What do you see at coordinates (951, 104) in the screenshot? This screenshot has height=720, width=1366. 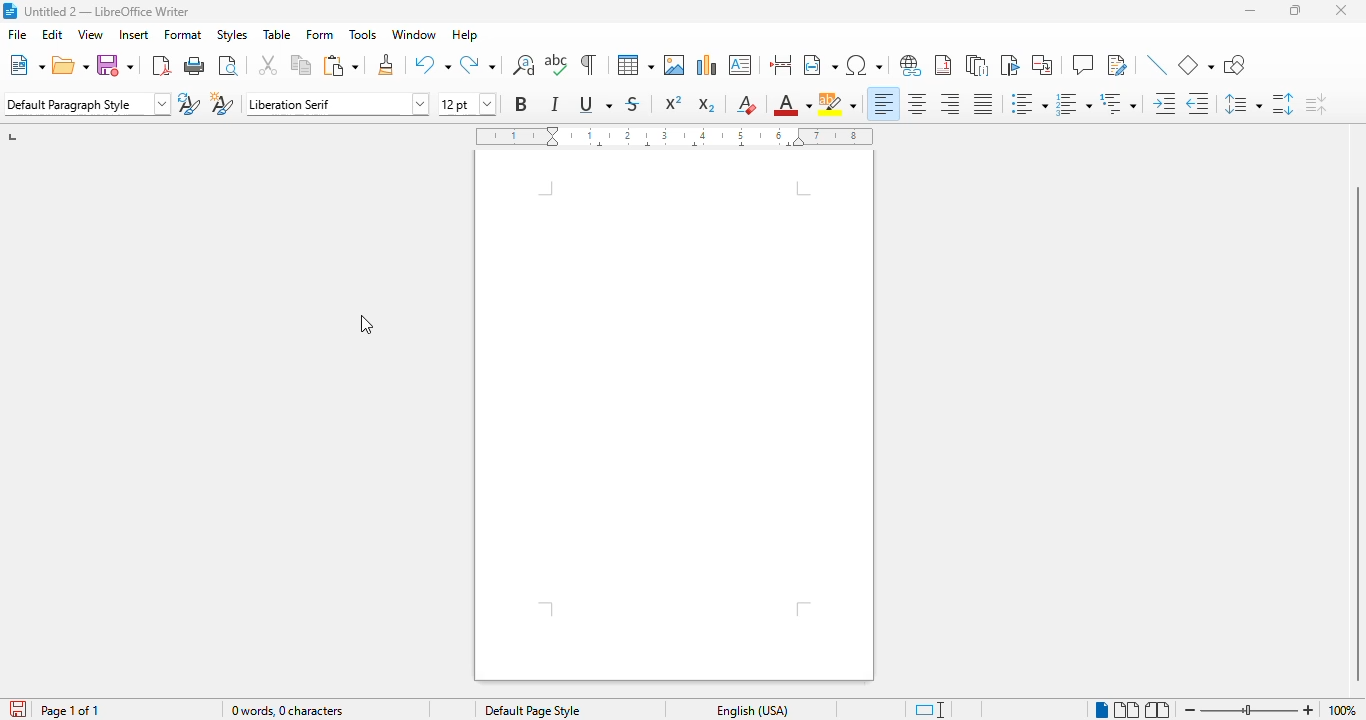 I see `align right` at bounding box center [951, 104].